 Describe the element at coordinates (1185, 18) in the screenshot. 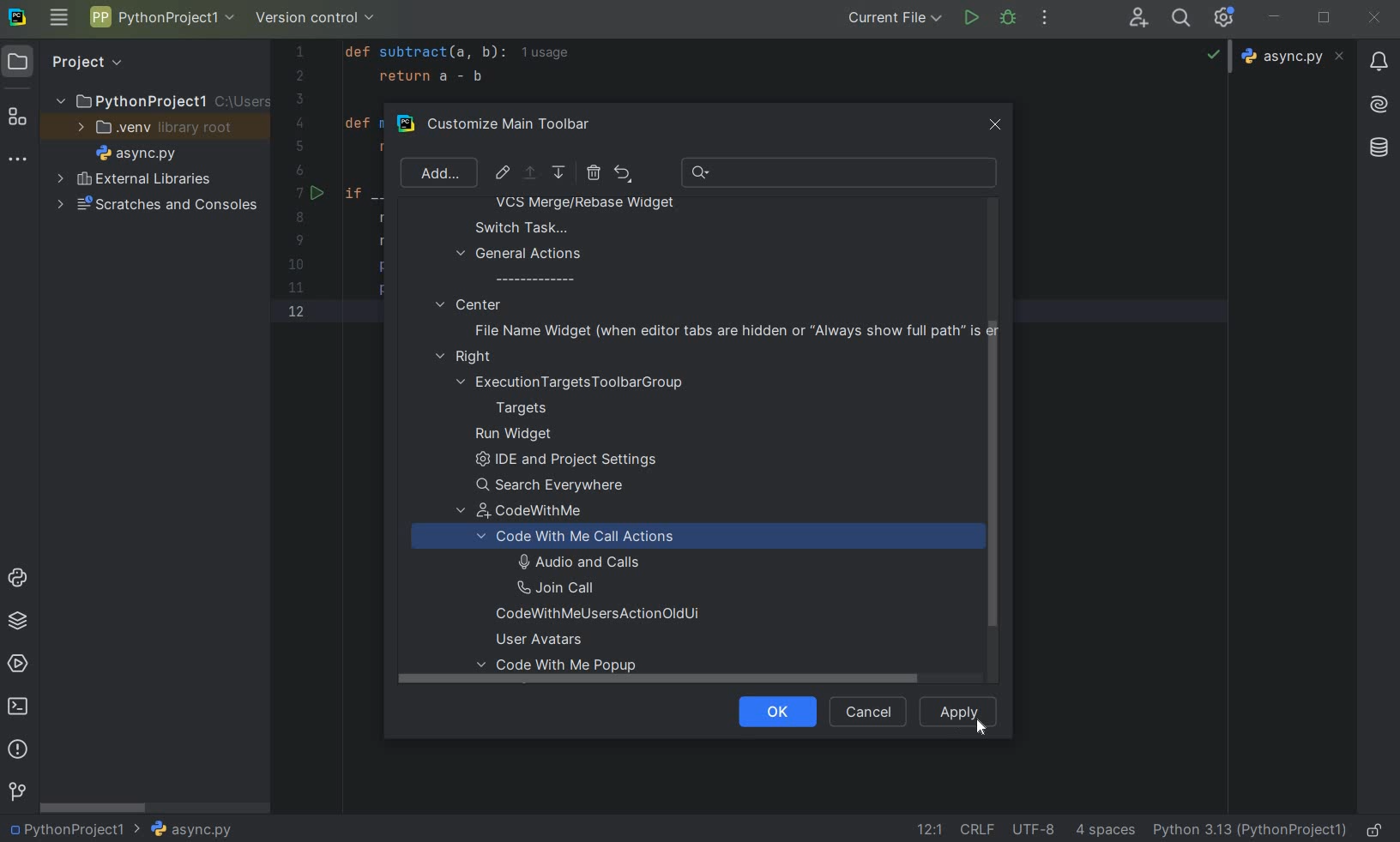

I see `SEARCH EVERYWHERE` at that location.